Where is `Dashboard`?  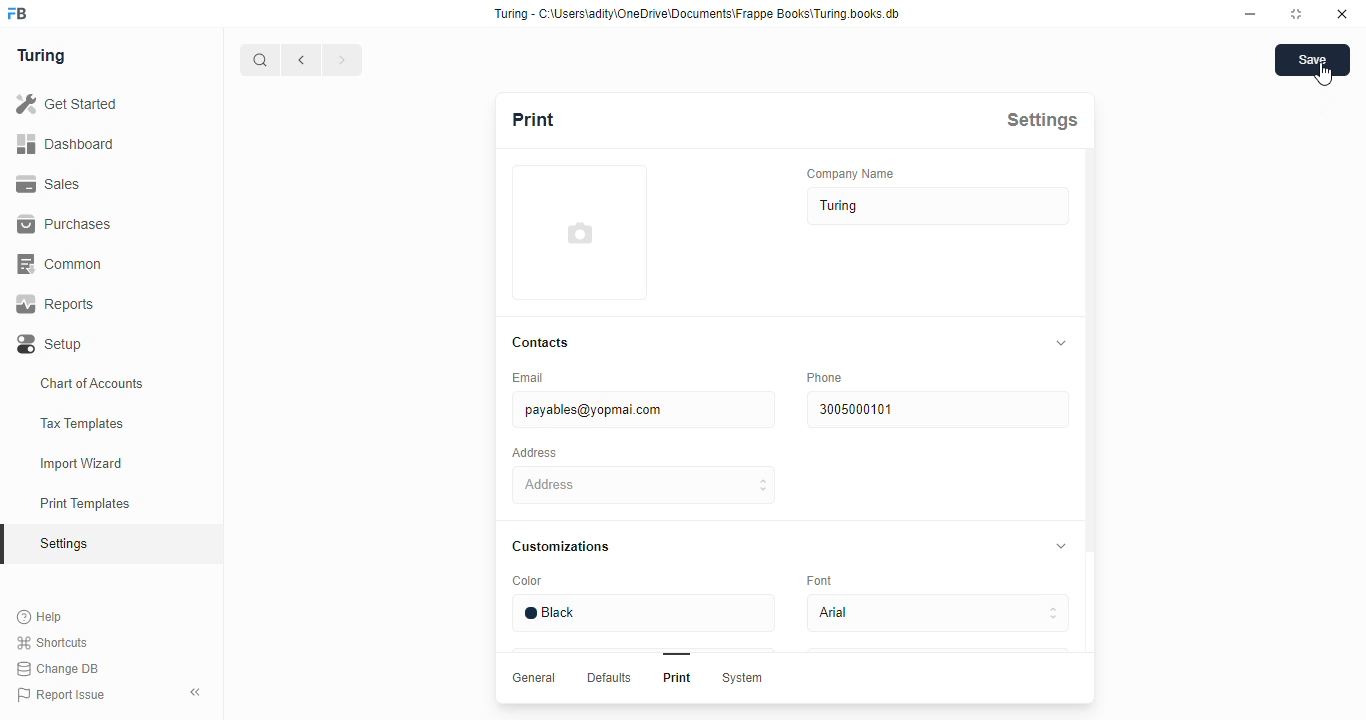
Dashboard is located at coordinates (104, 144).